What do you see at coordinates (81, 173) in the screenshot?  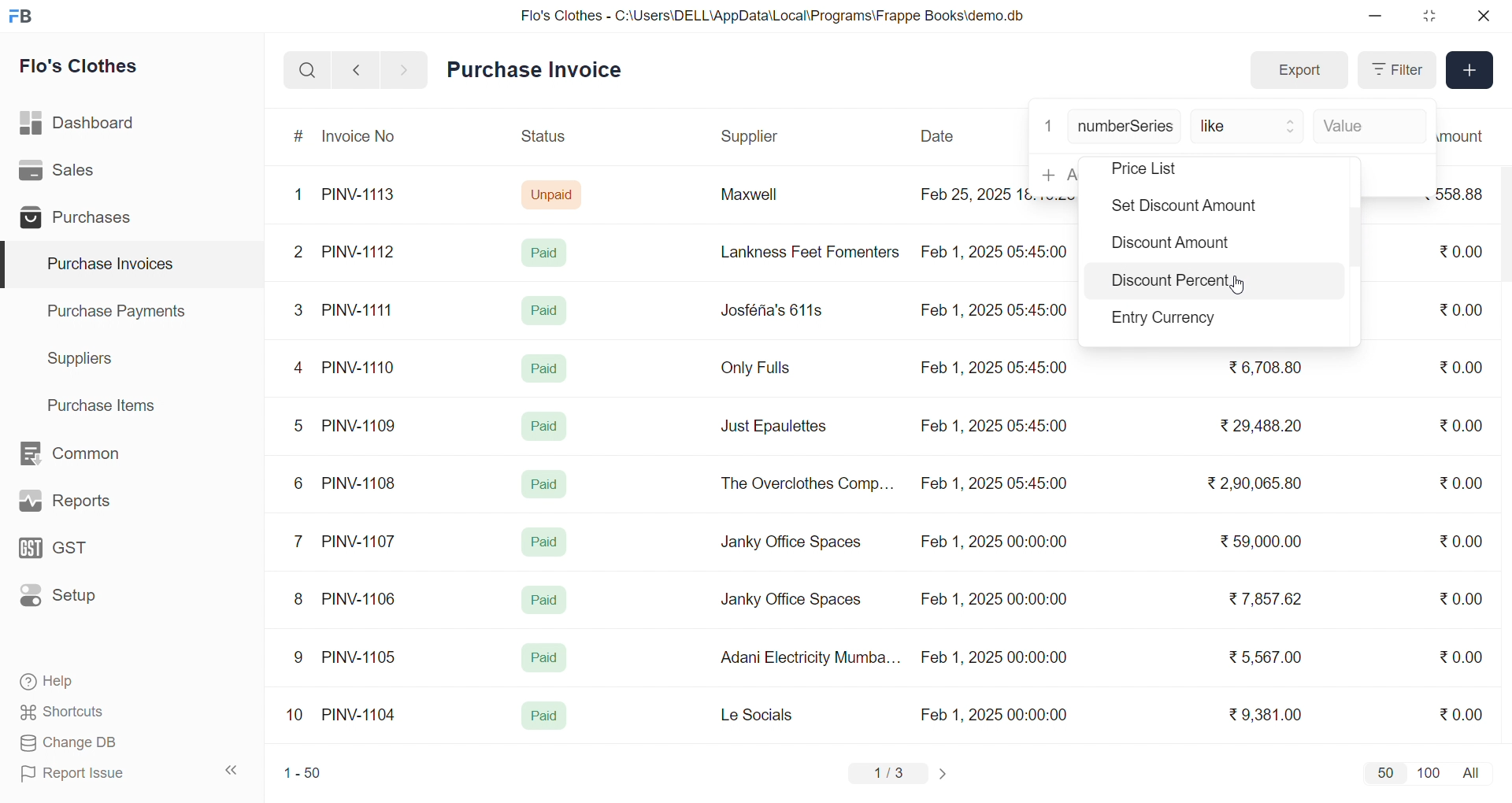 I see `Sales` at bounding box center [81, 173].